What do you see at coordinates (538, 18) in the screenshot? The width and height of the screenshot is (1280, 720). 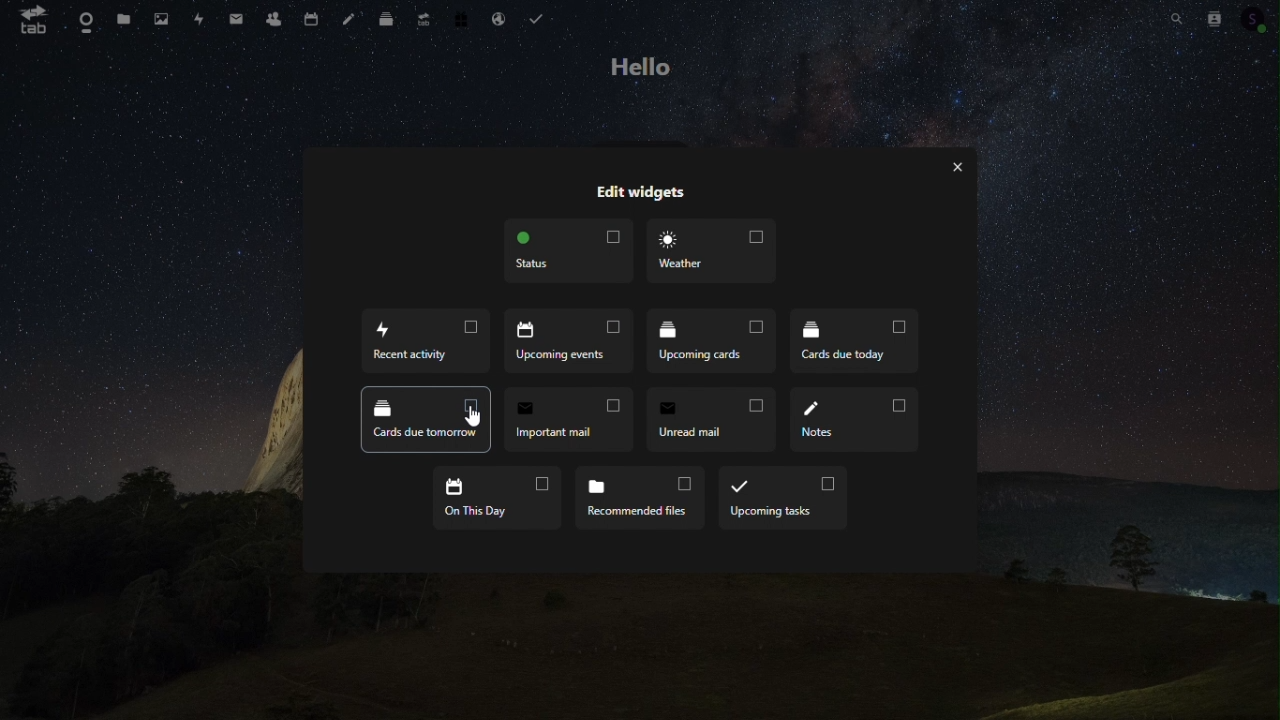 I see `Task` at bounding box center [538, 18].